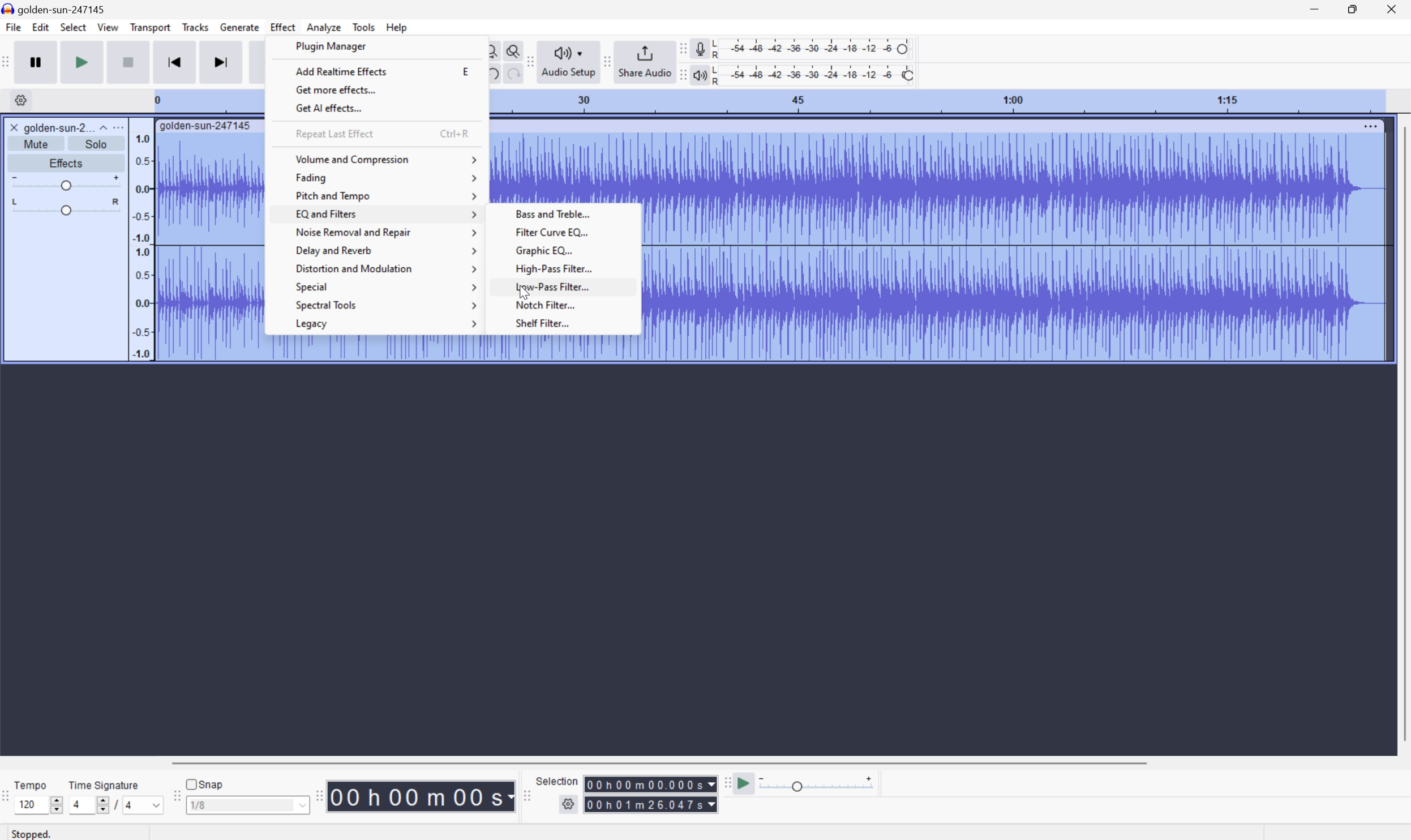  Describe the element at coordinates (36, 144) in the screenshot. I see `Mute` at that location.